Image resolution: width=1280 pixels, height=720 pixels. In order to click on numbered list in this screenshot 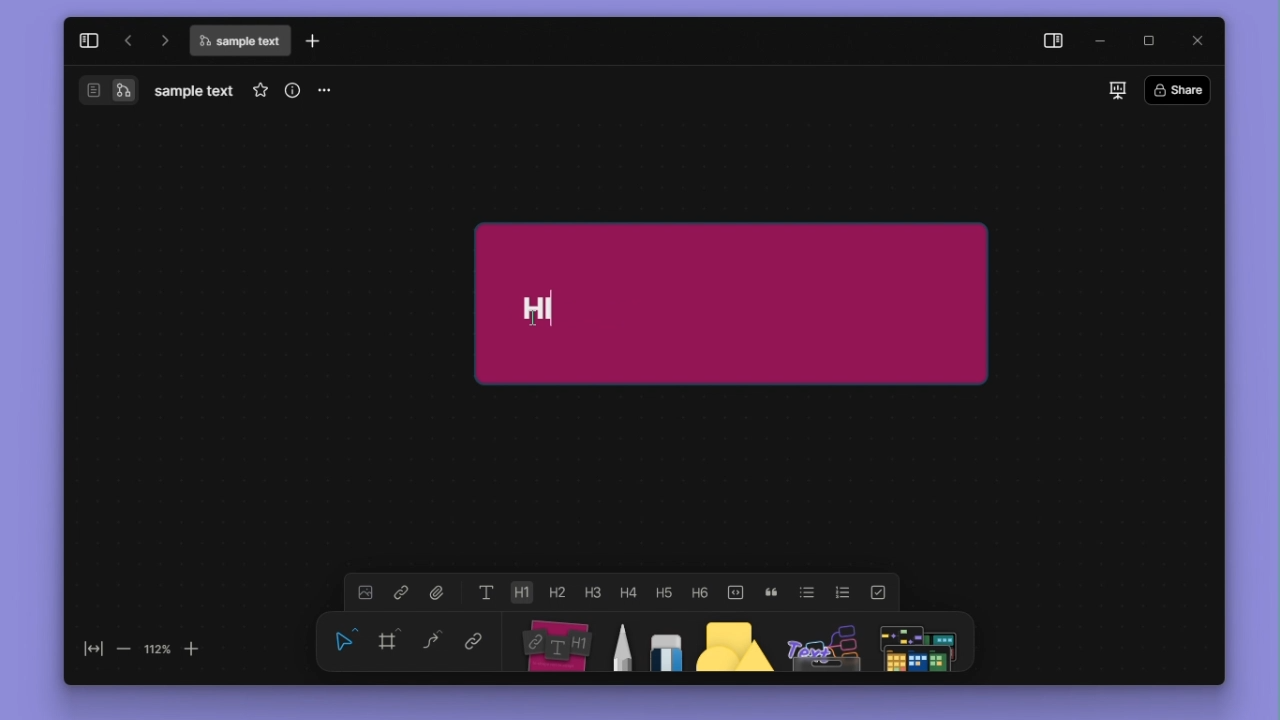, I will do `click(843, 593)`.